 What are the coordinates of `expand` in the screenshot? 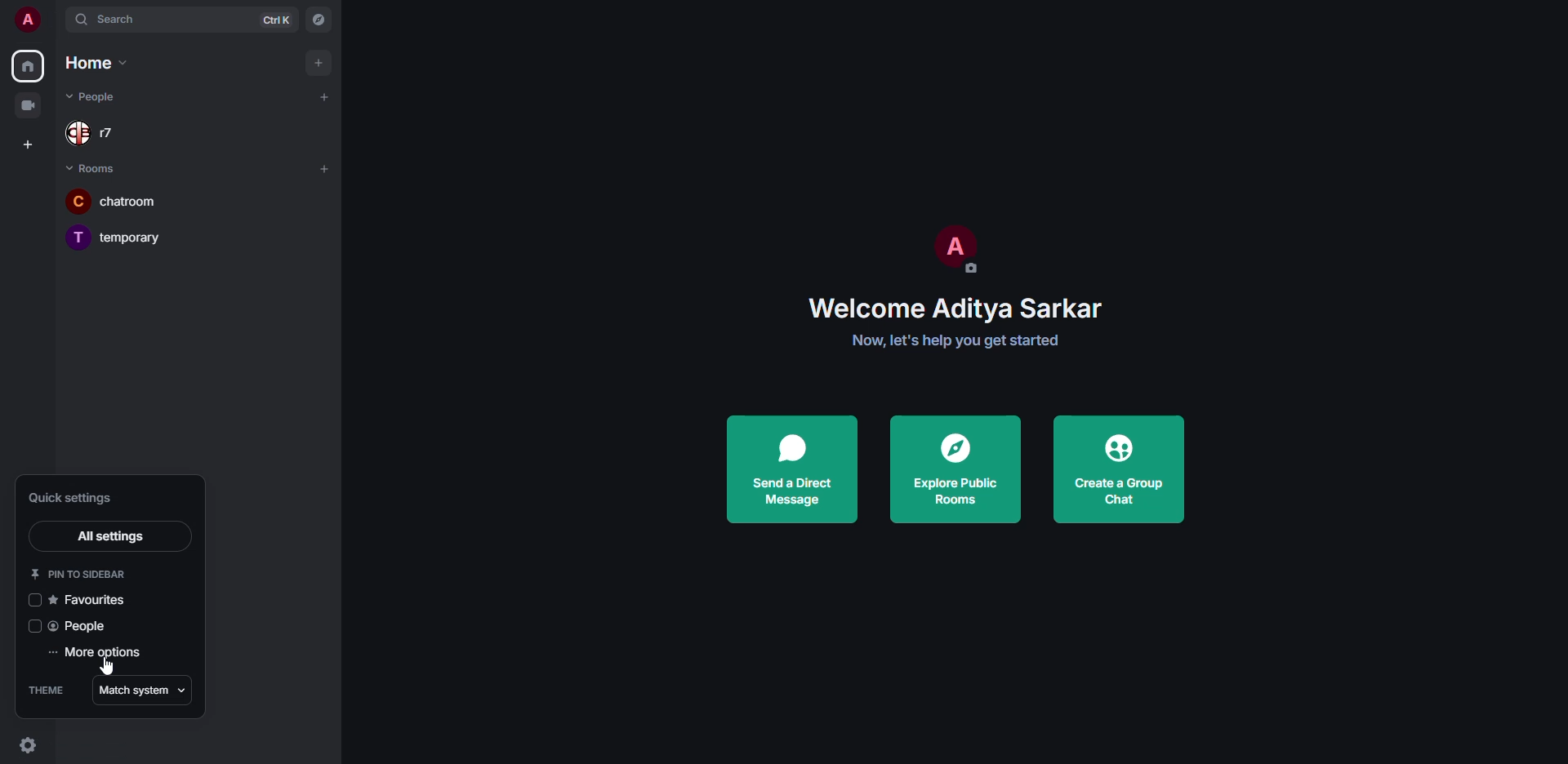 It's located at (54, 21).